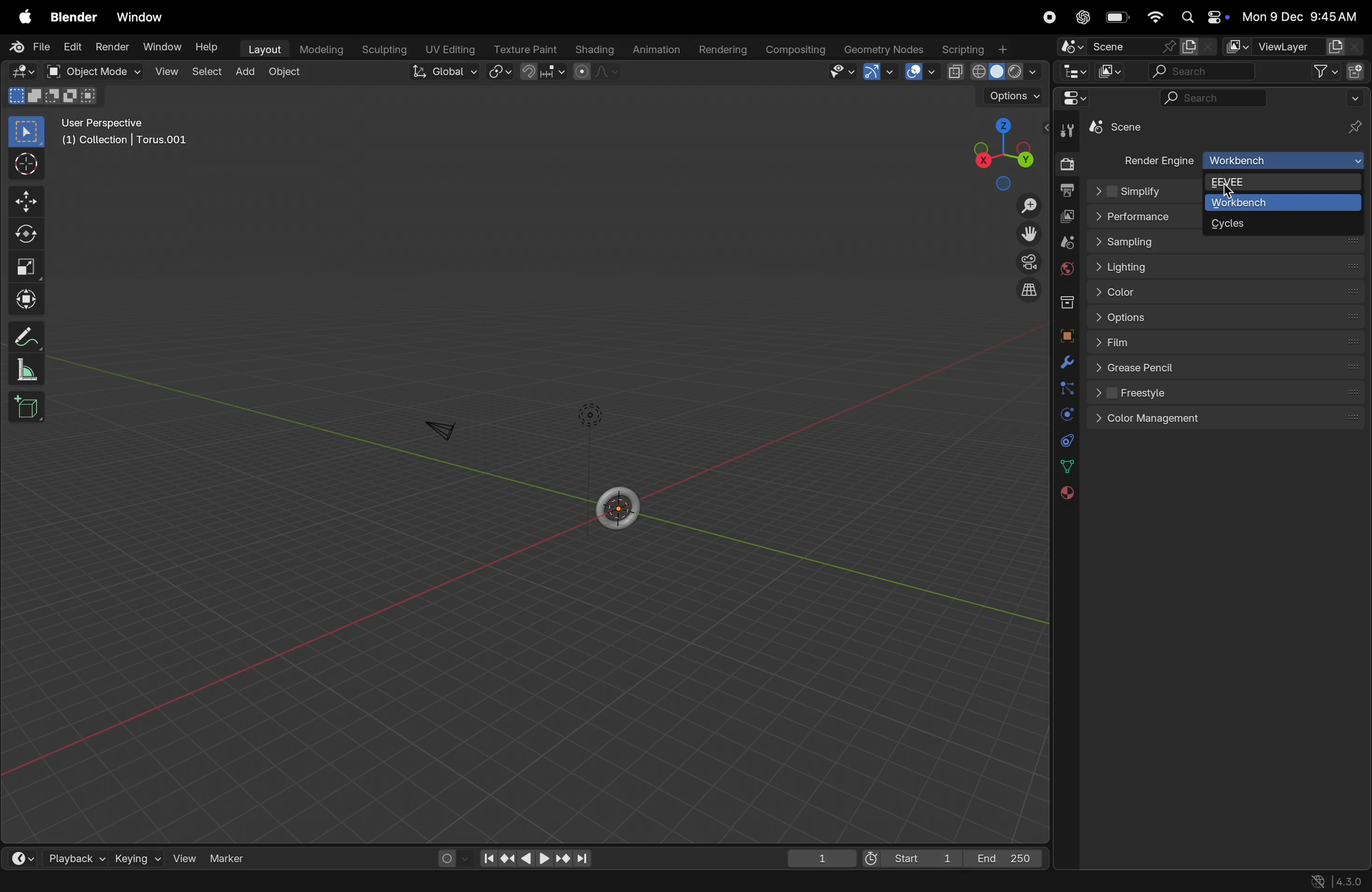  Describe the element at coordinates (1071, 494) in the screenshot. I see `material` at that location.